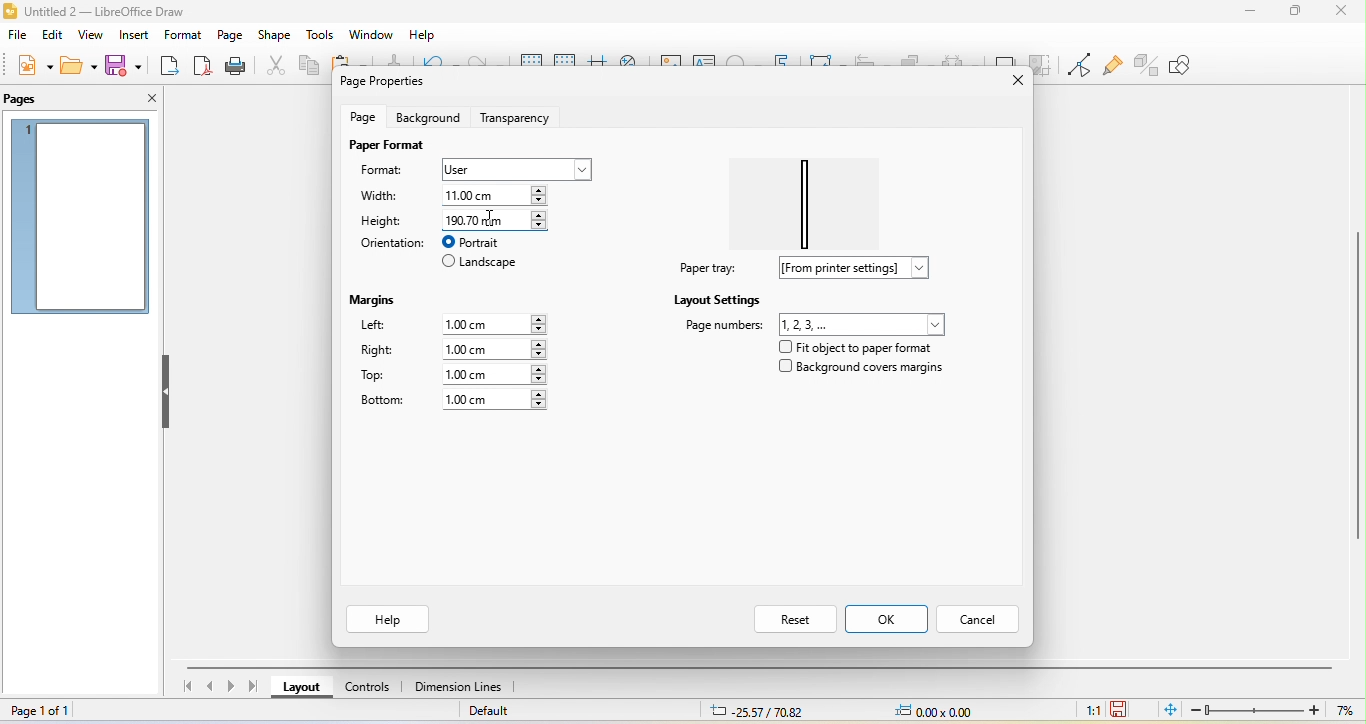 The width and height of the screenshot is (1366, 724). Describe the element at coordinates (368, 690) in the screenshot. I see `control` at that location.